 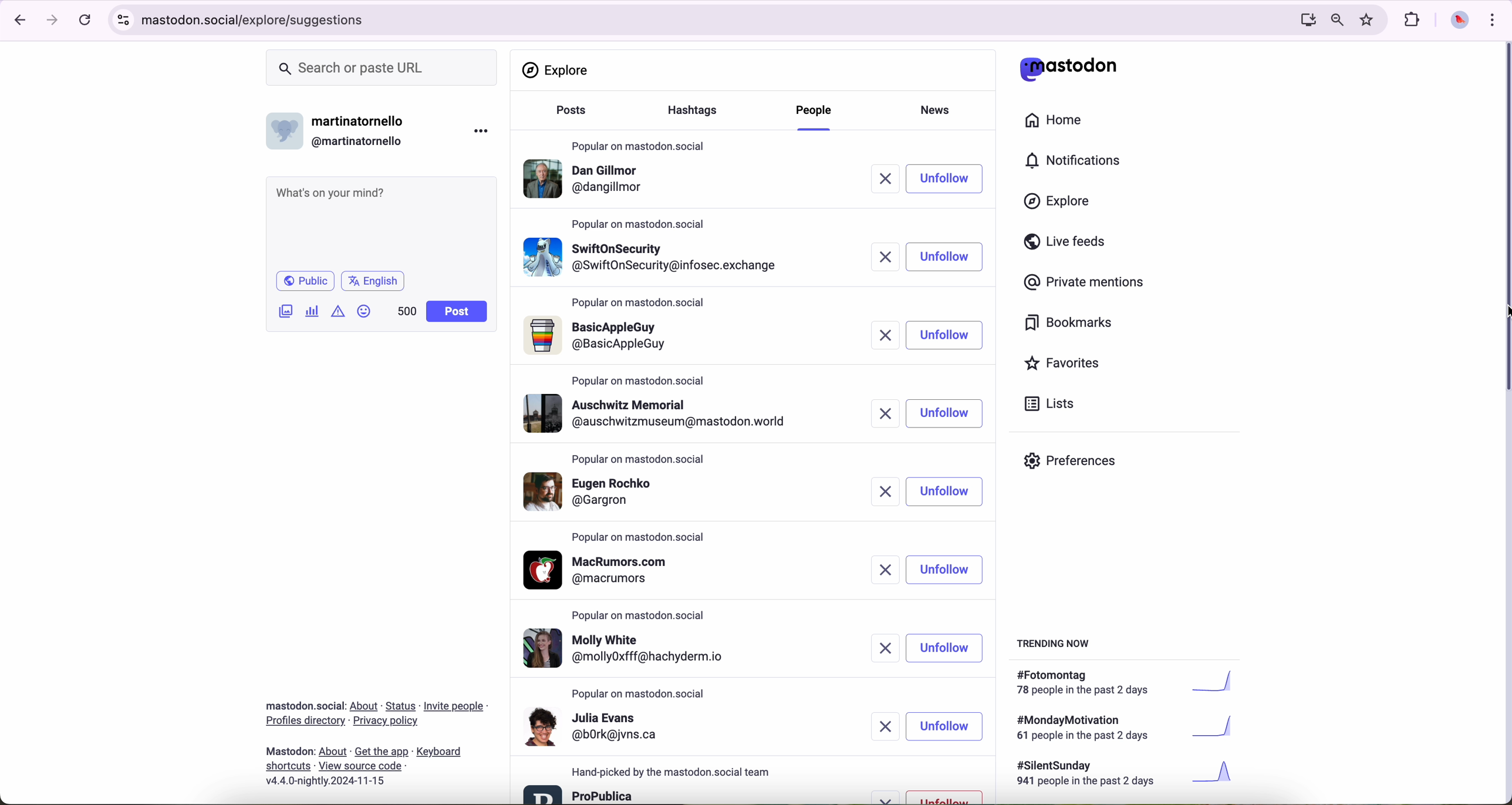 What do you see at coordinates (601, 336) in the screenshot?
I see `profile` at bounding box center [601, 336].